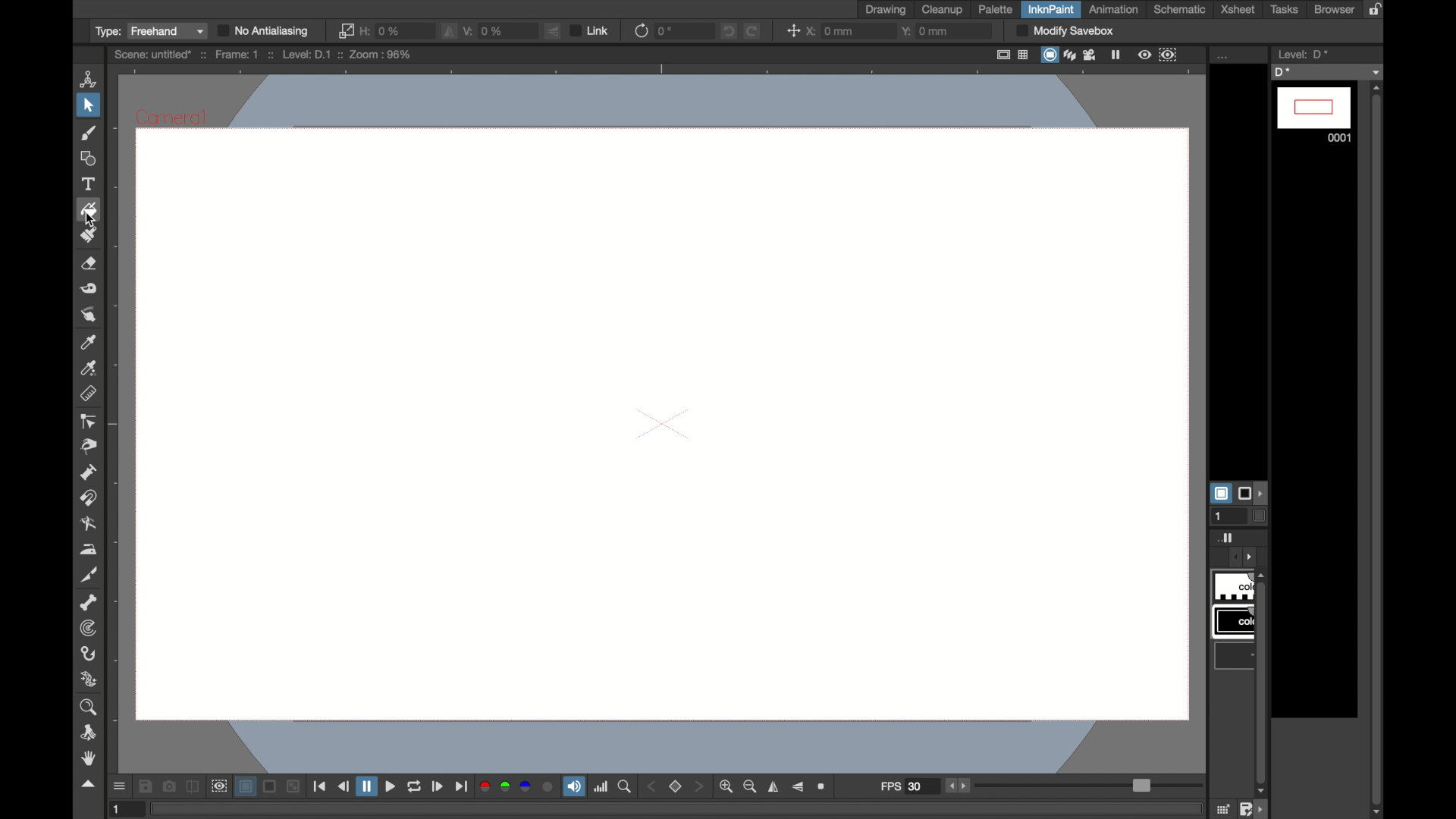 The width and height of the screenshot is (1456, 819). I want to click on modify sandbox, so click(1065, 30).